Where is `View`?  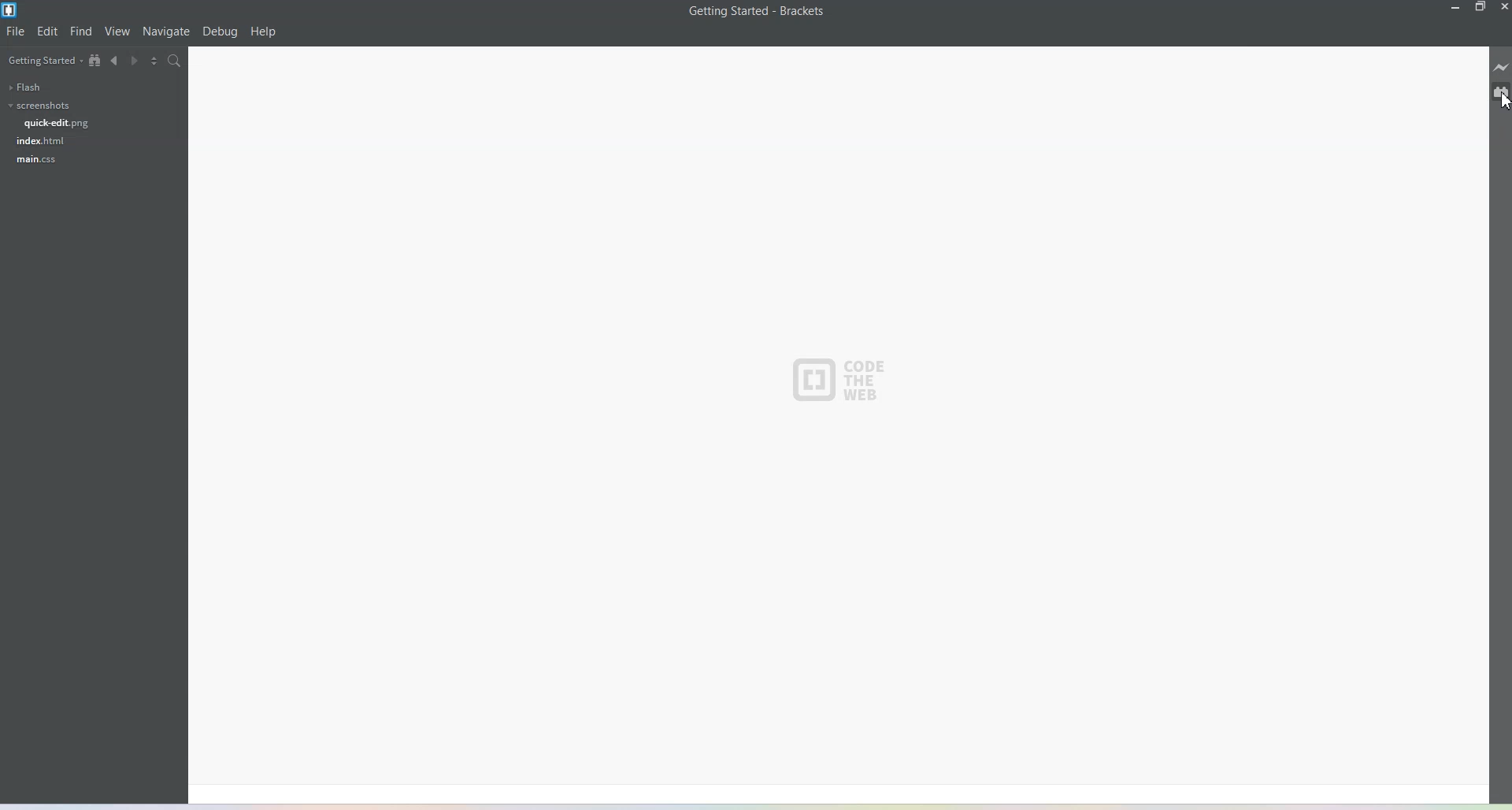
View is located at coordinates (118, 32).